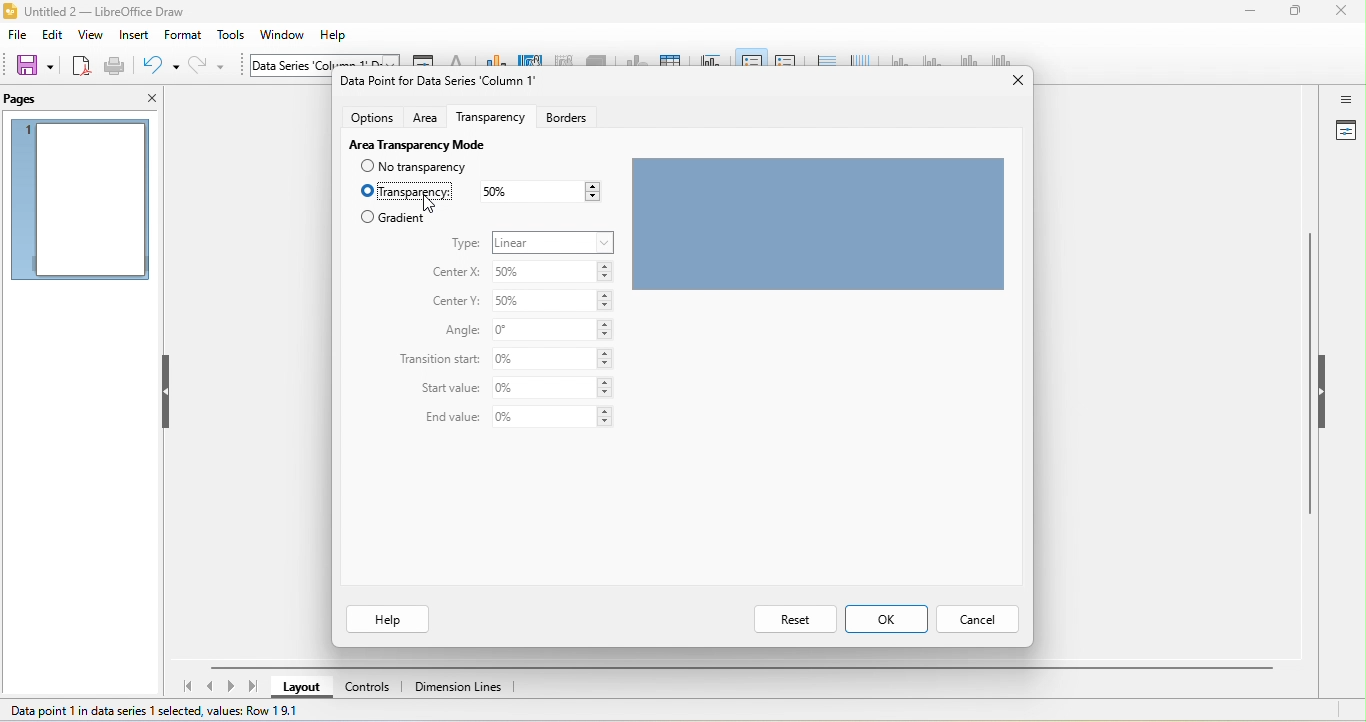 This screenshot has height=722, width=1366. What do you see at coordinates (423, 59) in the screenshot?
I see `format selection` at bounding box center [423, 59].